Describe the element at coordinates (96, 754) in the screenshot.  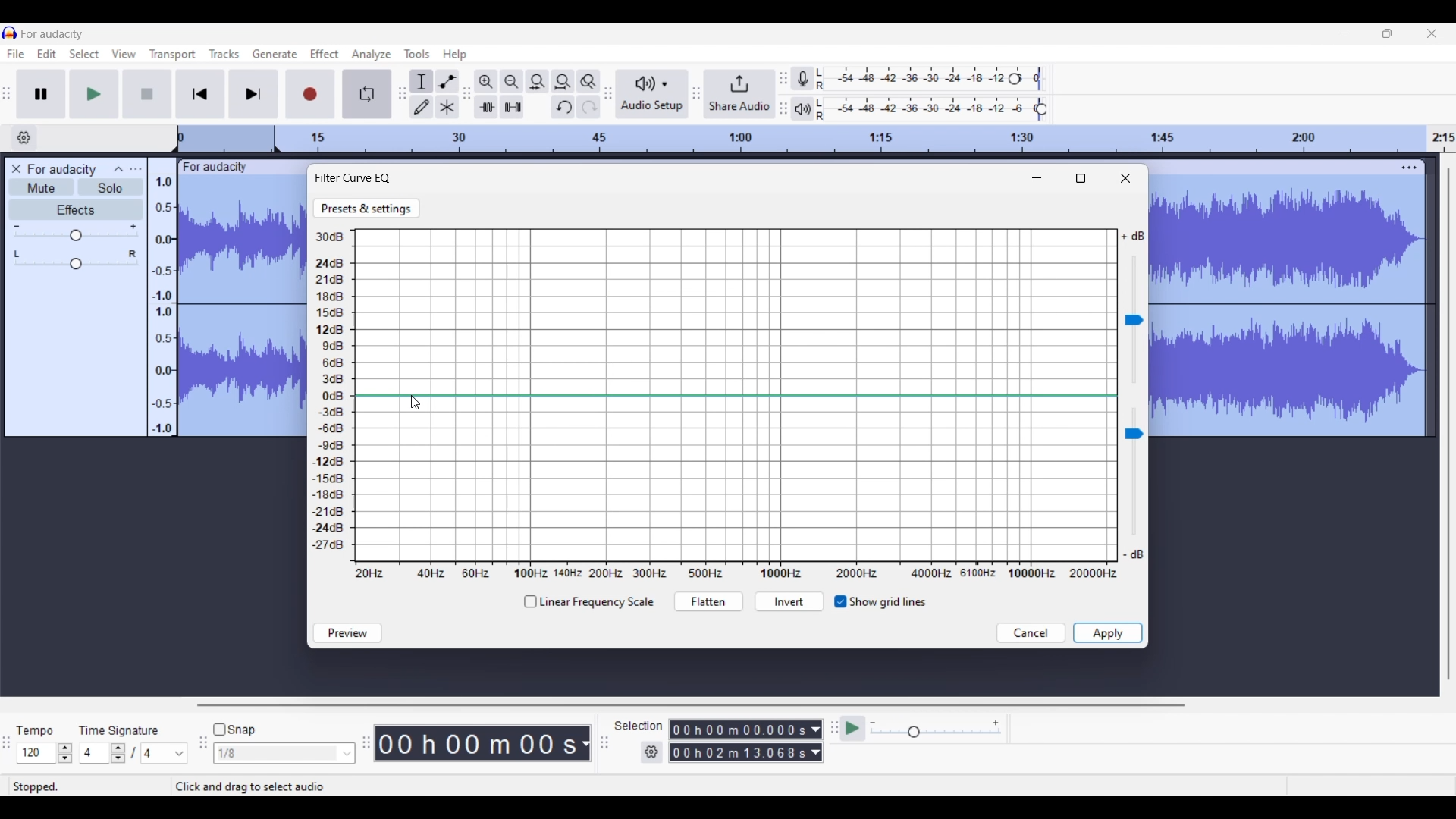
I see `Type in time signature` at that location.